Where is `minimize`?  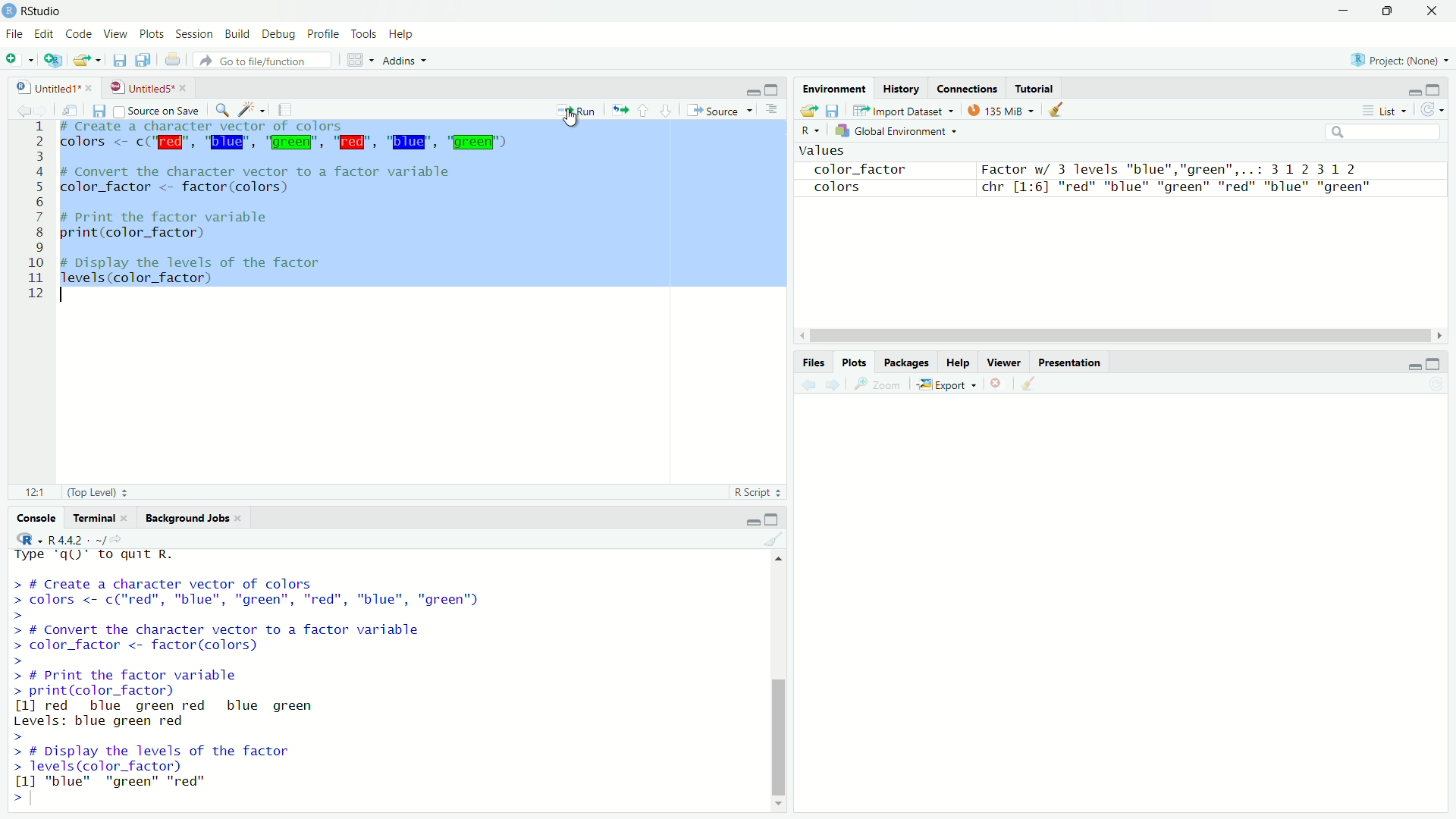
minimize is located at coordinates (1407, 364).